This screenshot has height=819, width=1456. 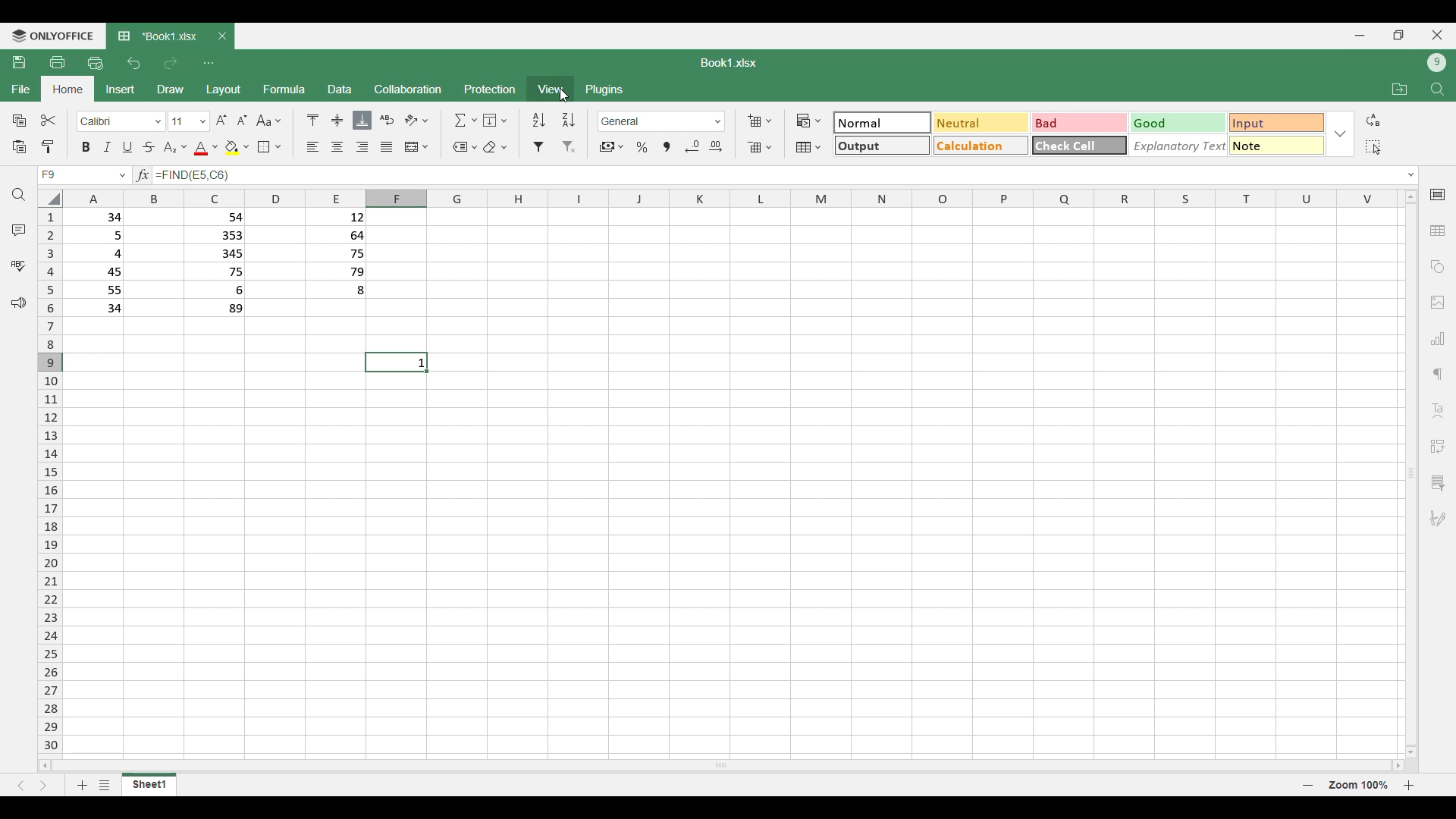 I want to click on Font options, so click(x=120, y=121).